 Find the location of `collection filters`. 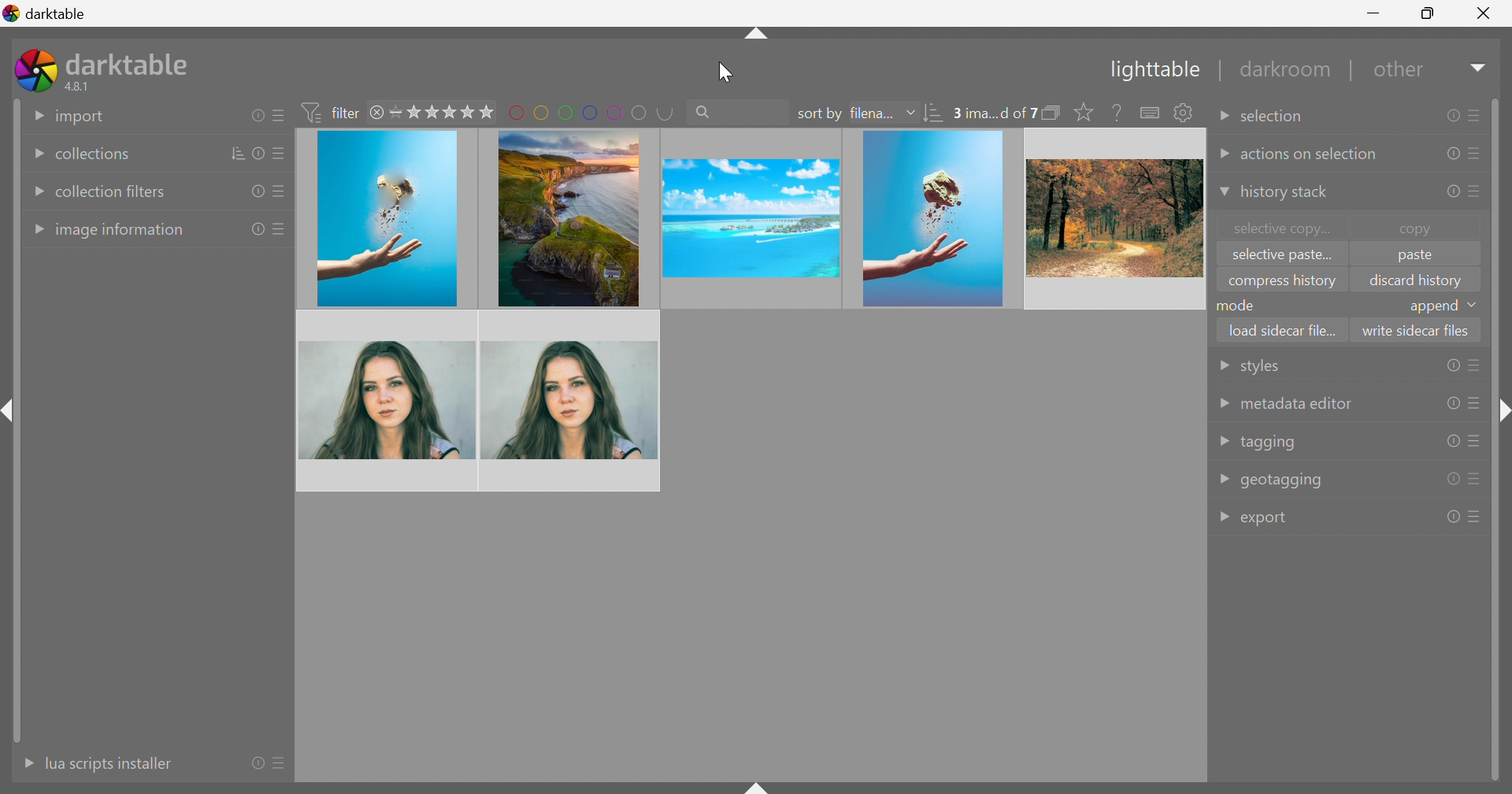

collection filters is located at coordinates (112, 191).